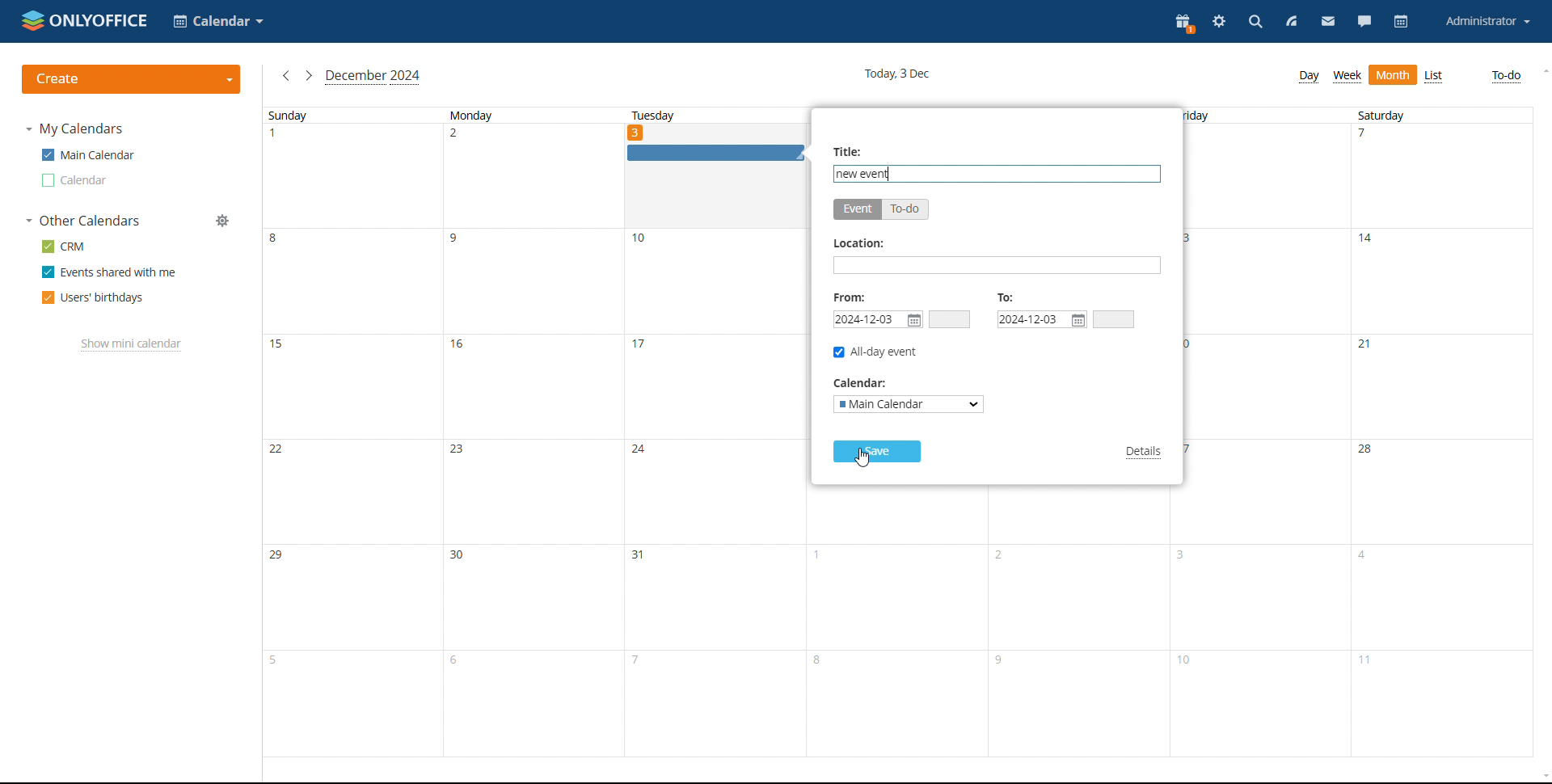 Image resolution: width=1552 pixels, height=784 pixels. I want to click on saturday, so click(1440, 432).